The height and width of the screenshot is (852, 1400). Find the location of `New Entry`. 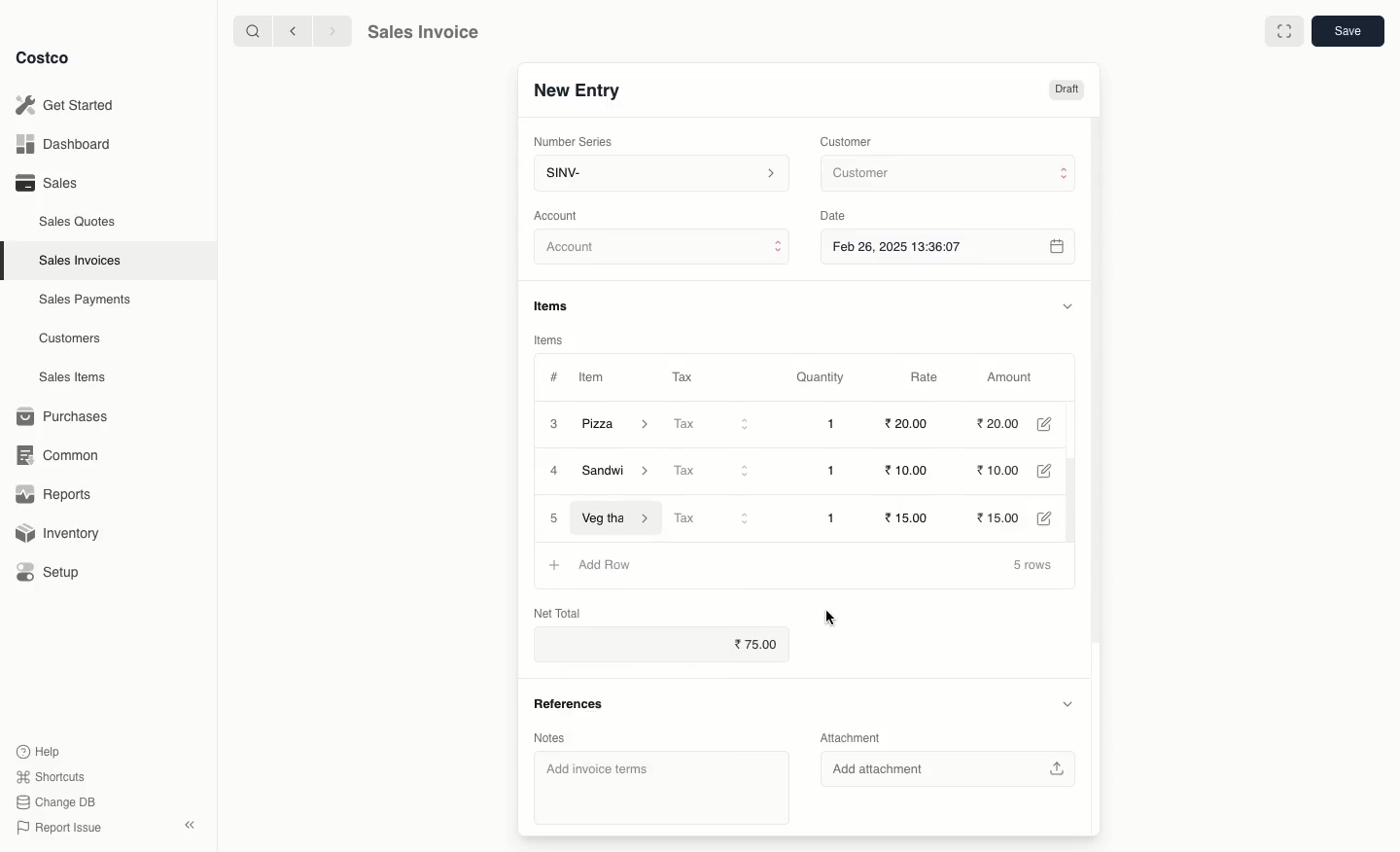

New Entry is located at coordinates (576, 89).